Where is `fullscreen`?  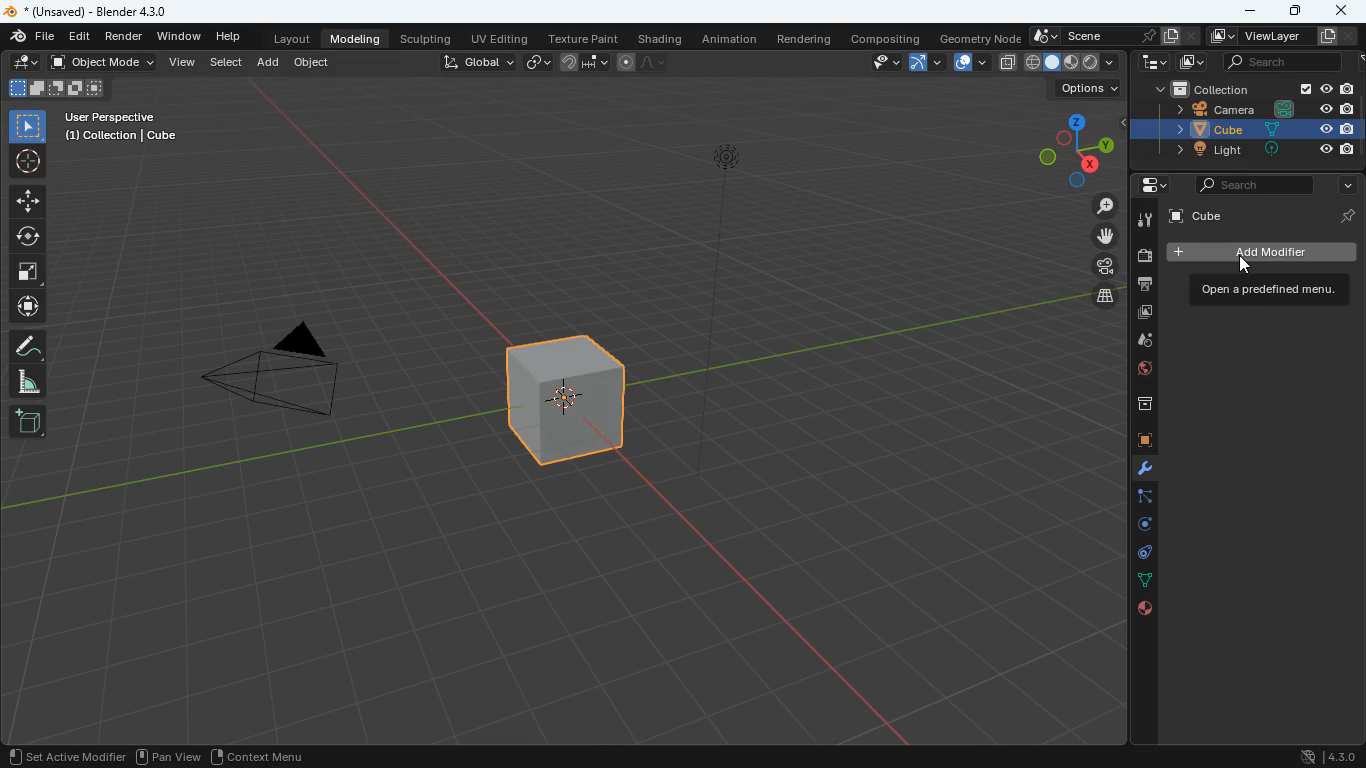
fullscreen is located at coordinates (32, 273).